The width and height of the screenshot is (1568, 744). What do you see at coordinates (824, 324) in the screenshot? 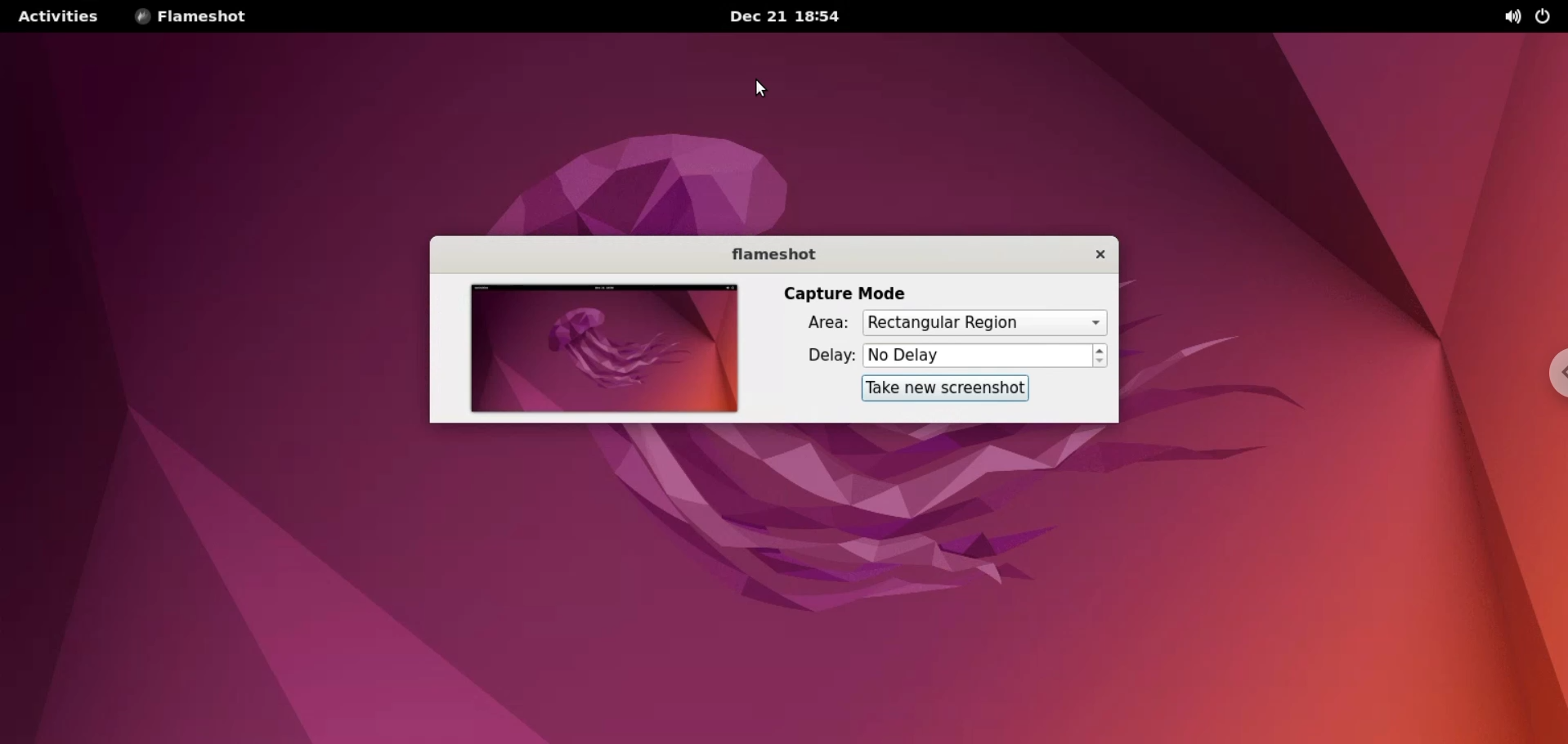
I see `area:` at bounding box center [824, 324].